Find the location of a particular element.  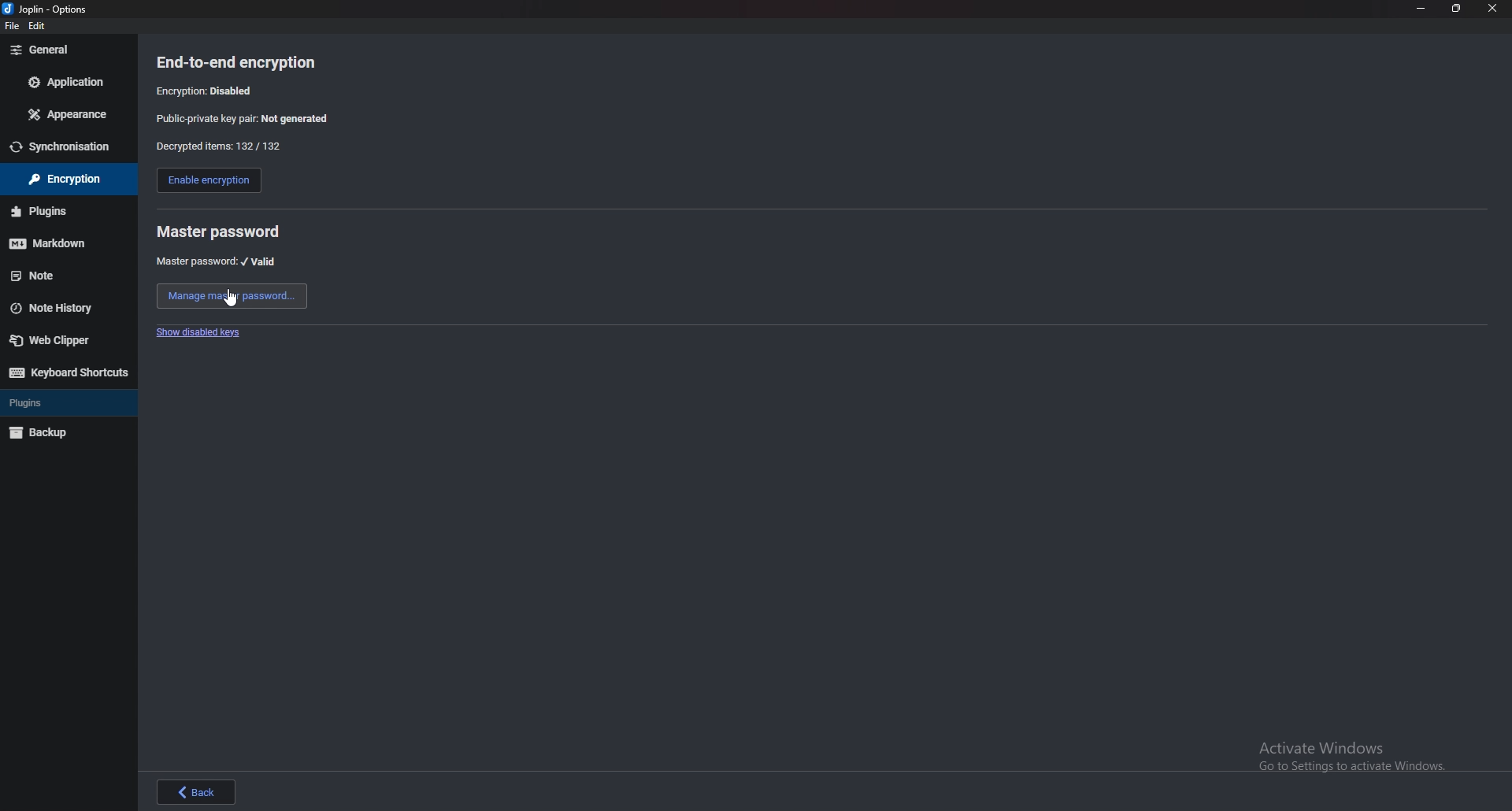

encryption is located at coordinates (60, 180).